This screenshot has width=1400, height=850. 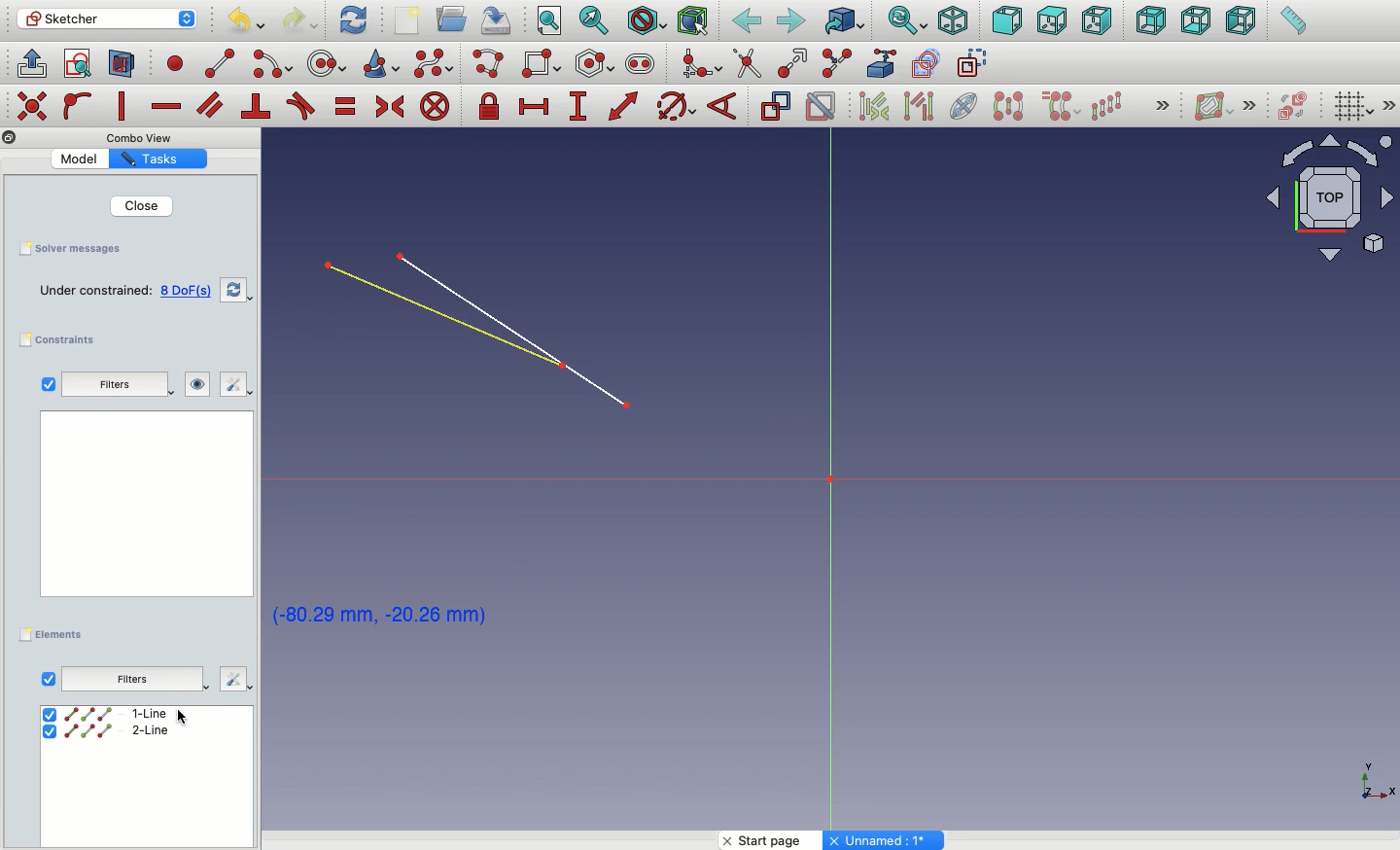 What do you see at coordinates (953, 20) in the screenshot?
I see `Isometric` at bounding box center [953, 20].